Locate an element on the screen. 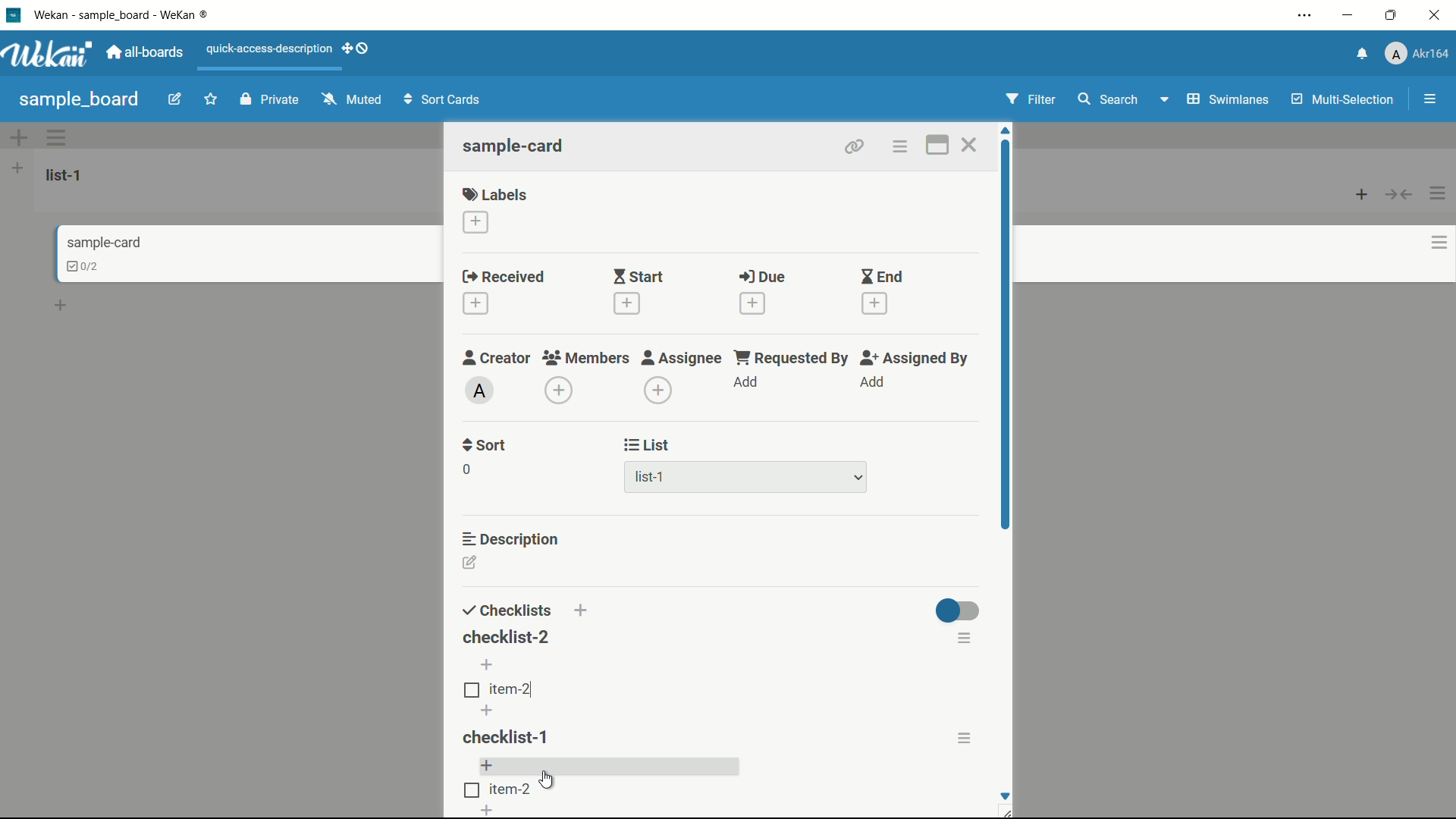 This screenshot has width=1456, height=819. app logo is located at coordinates (47, 54).